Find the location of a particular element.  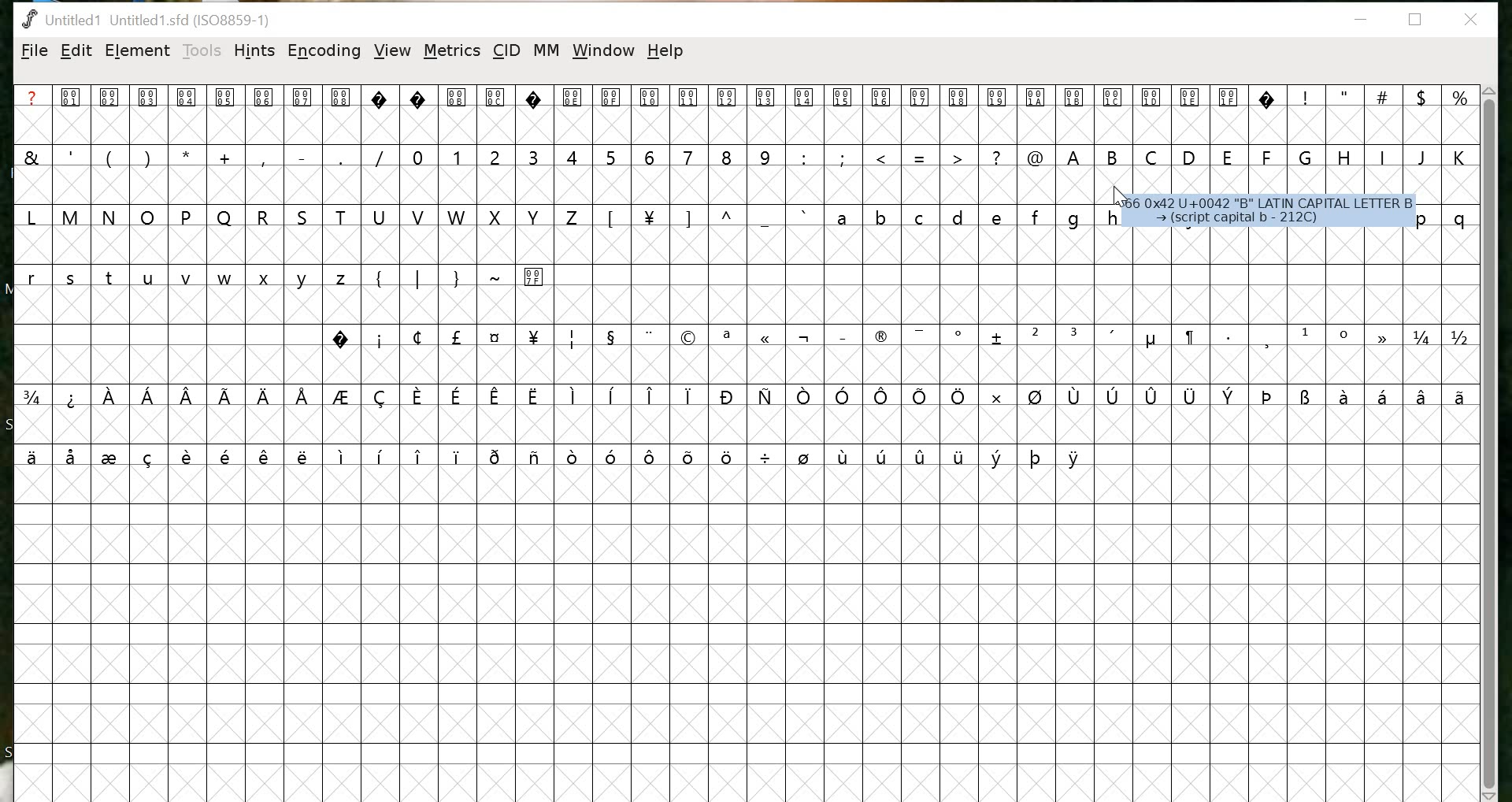

window is located at coordinates (603, 50).